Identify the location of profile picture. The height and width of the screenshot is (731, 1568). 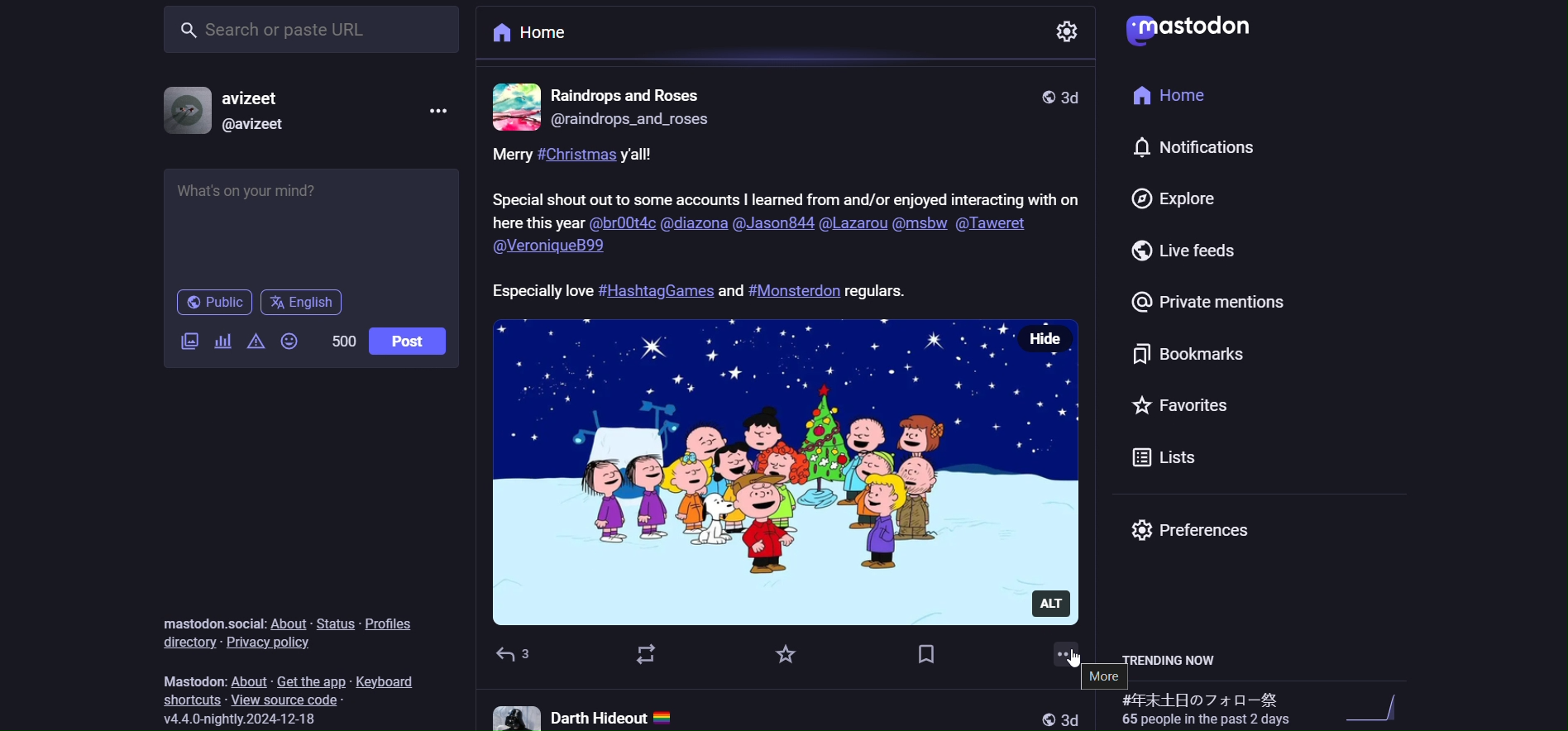
(184, 112).